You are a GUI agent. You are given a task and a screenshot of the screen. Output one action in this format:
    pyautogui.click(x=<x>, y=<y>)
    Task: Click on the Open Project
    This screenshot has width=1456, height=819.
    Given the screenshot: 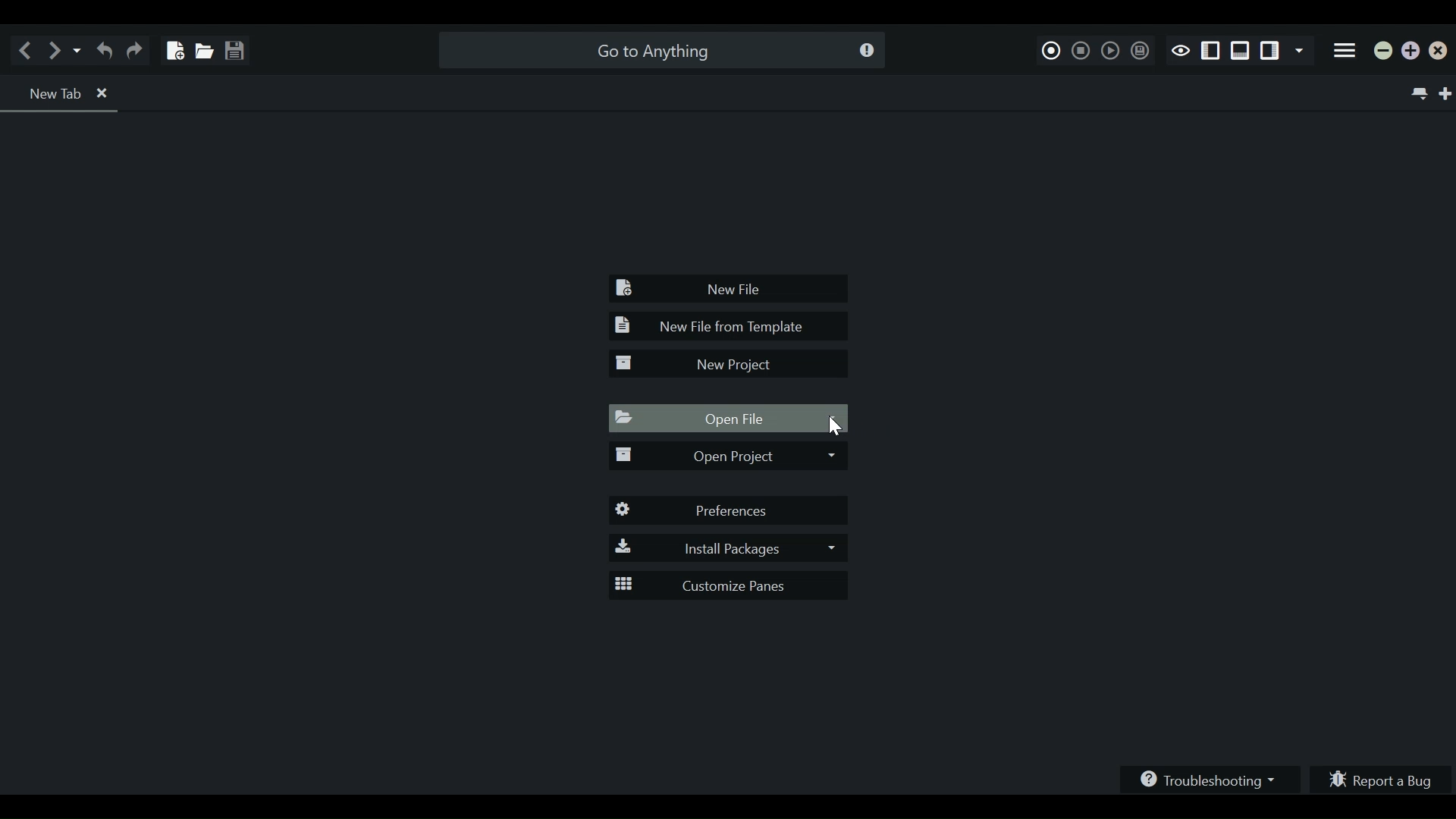 What is the action you would take?
    pyautogui.click(x=726, y=458)
    